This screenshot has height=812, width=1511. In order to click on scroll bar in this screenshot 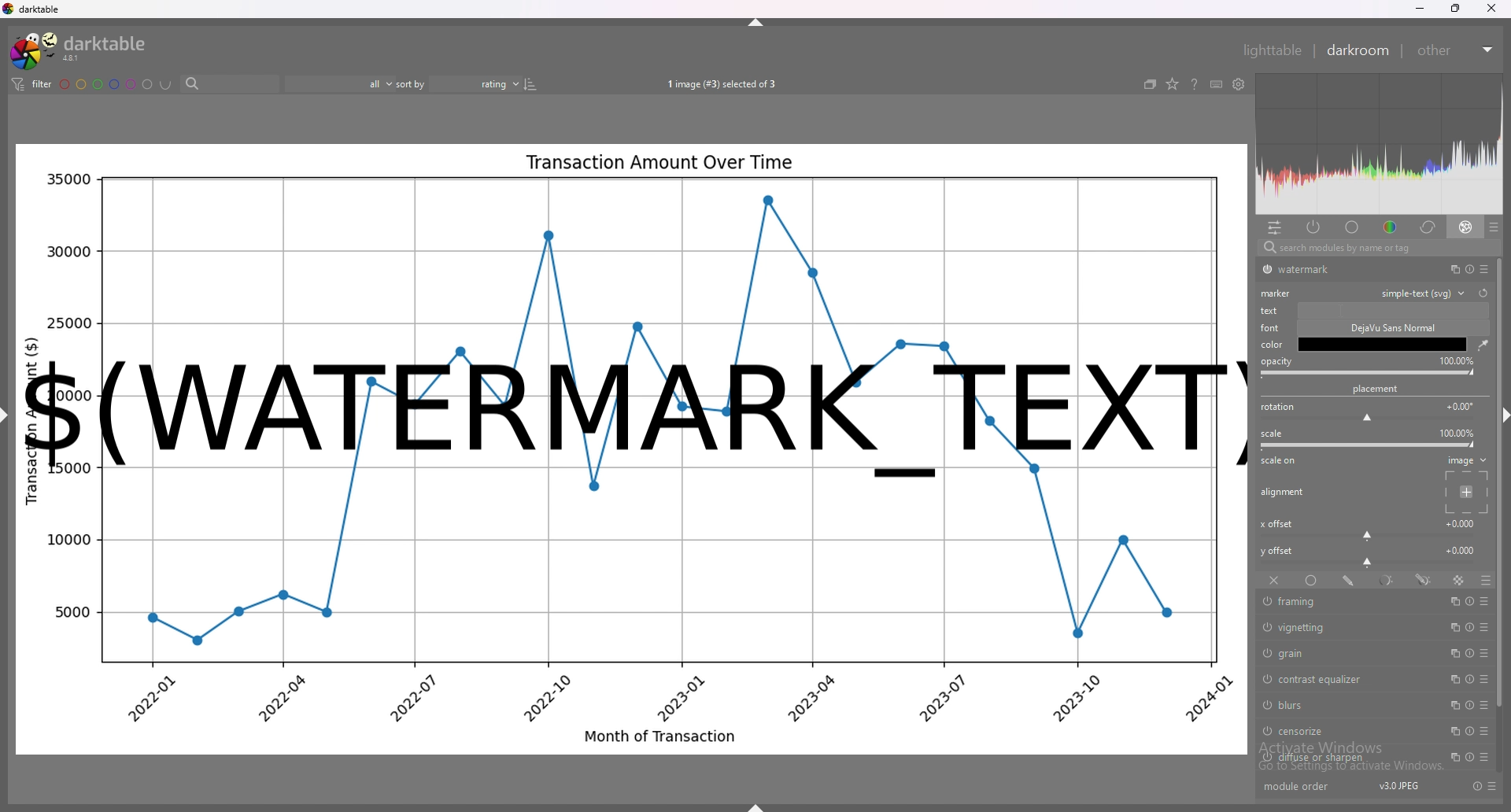, I will do `click(1502, 486)`.